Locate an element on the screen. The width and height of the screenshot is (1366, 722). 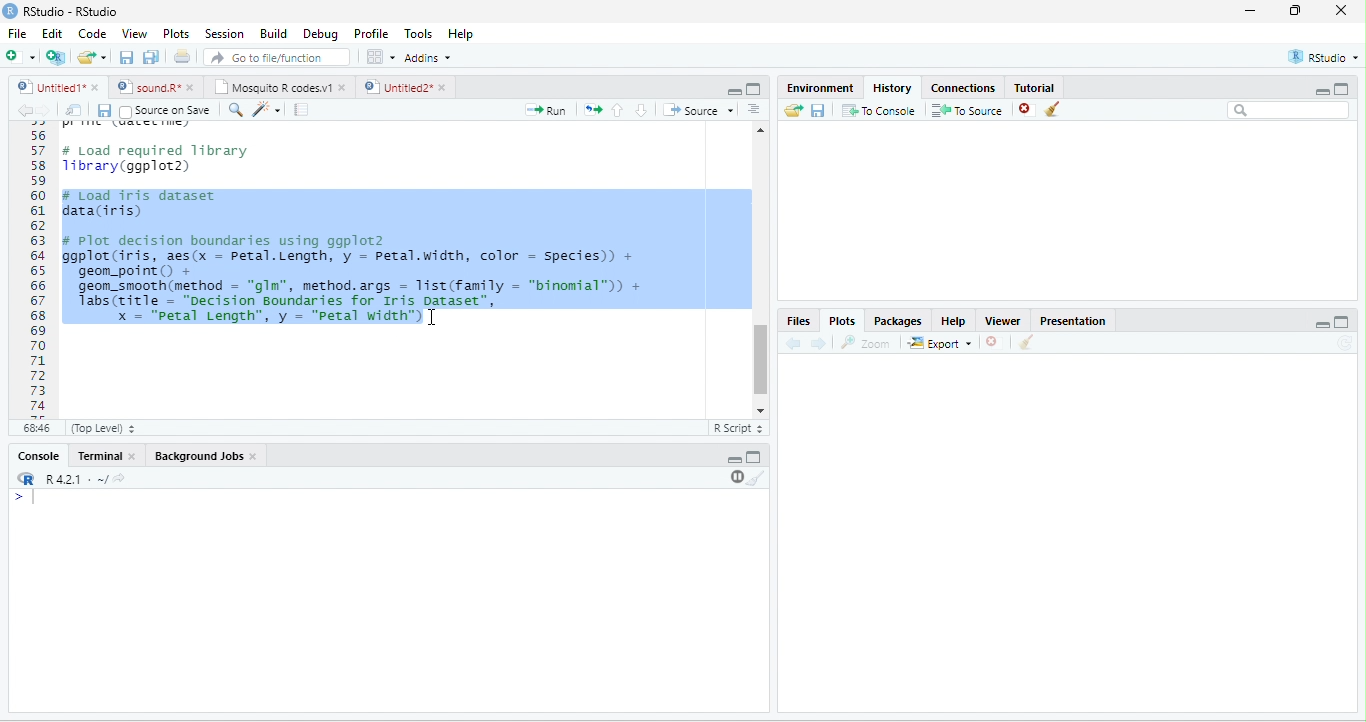
close is located at coordinates (97, 87).